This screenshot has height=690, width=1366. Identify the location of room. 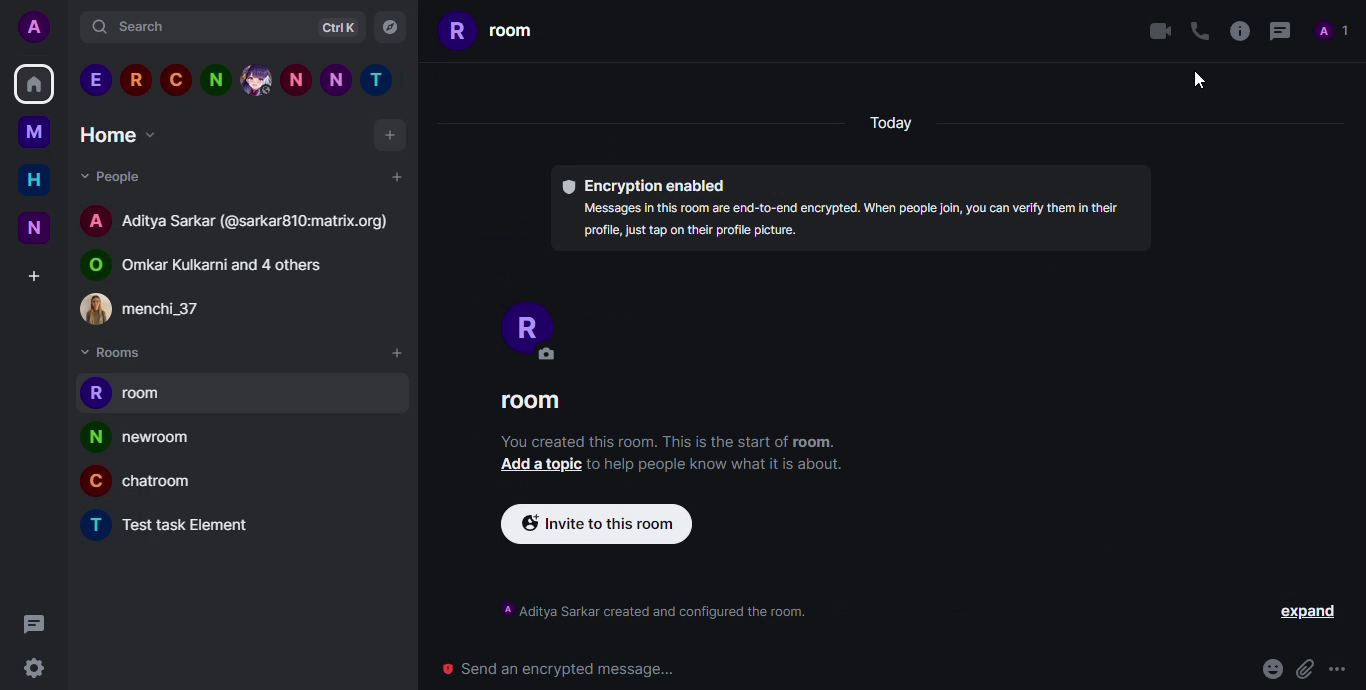
(150, 397).